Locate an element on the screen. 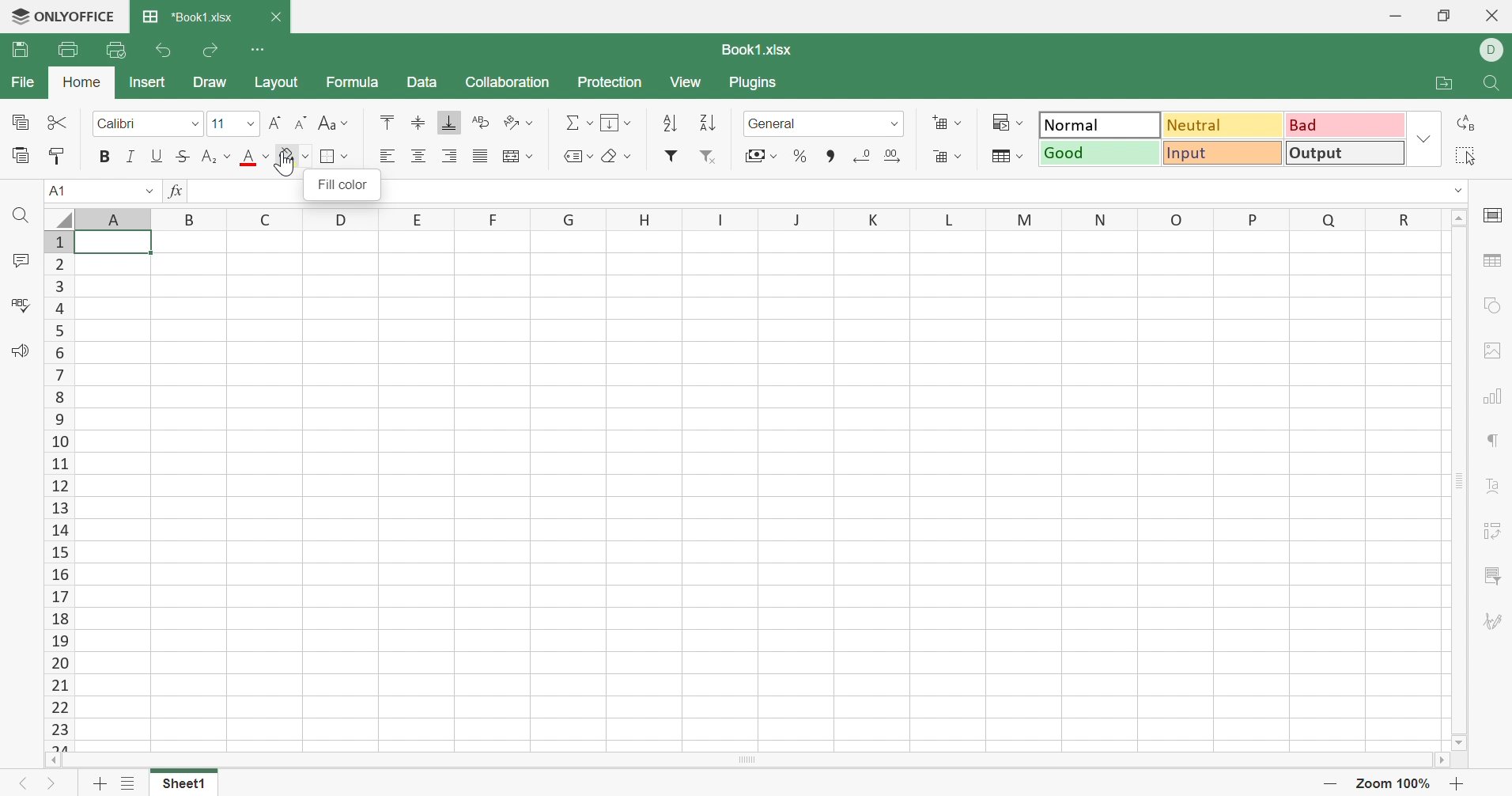  Save is located at coordinates (16, 49).